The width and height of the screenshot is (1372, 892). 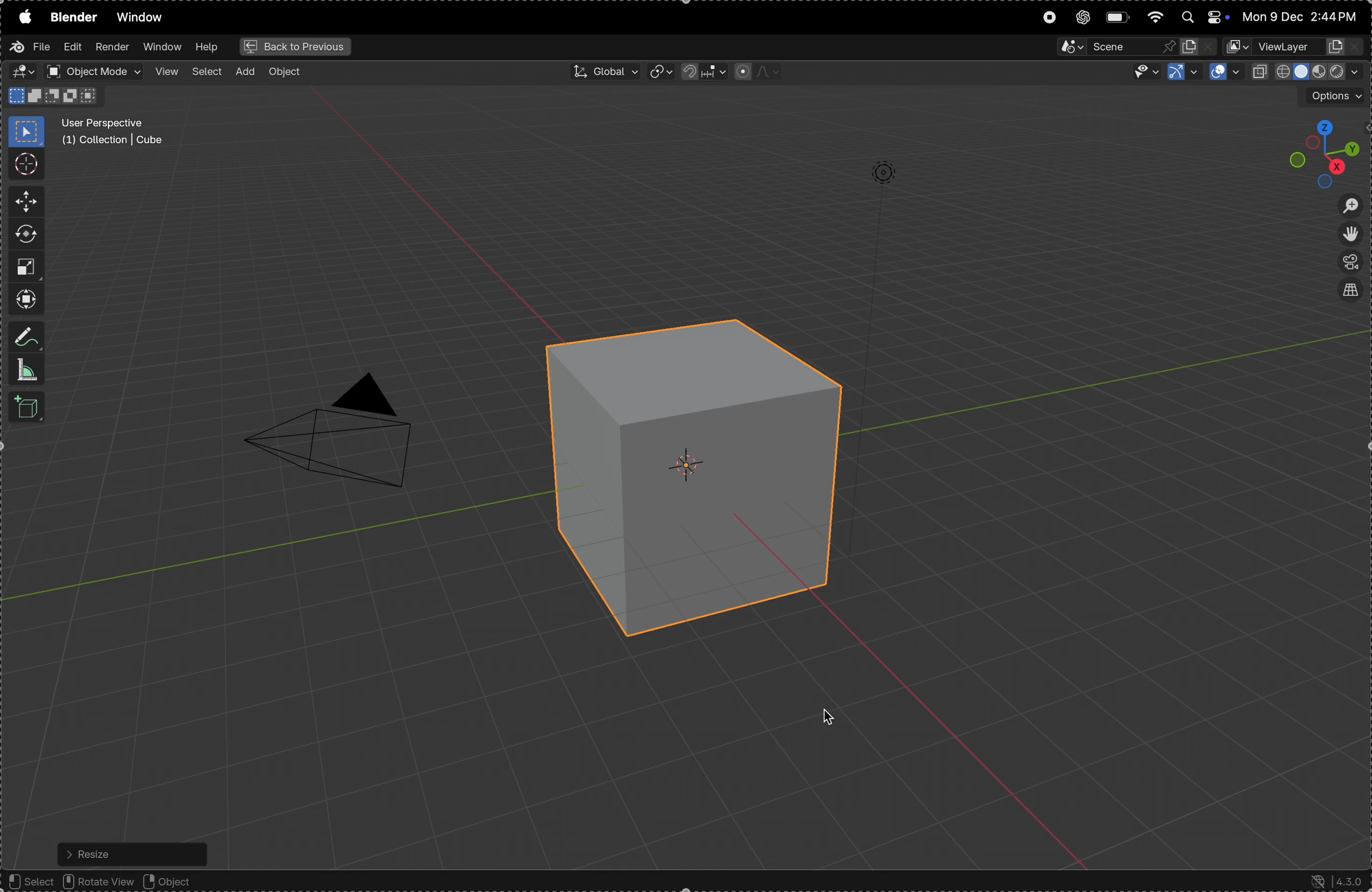 What do you see at coordinates (25, 336) in the screenshot?
I see `annotate ` at bounding box center [25, 336].